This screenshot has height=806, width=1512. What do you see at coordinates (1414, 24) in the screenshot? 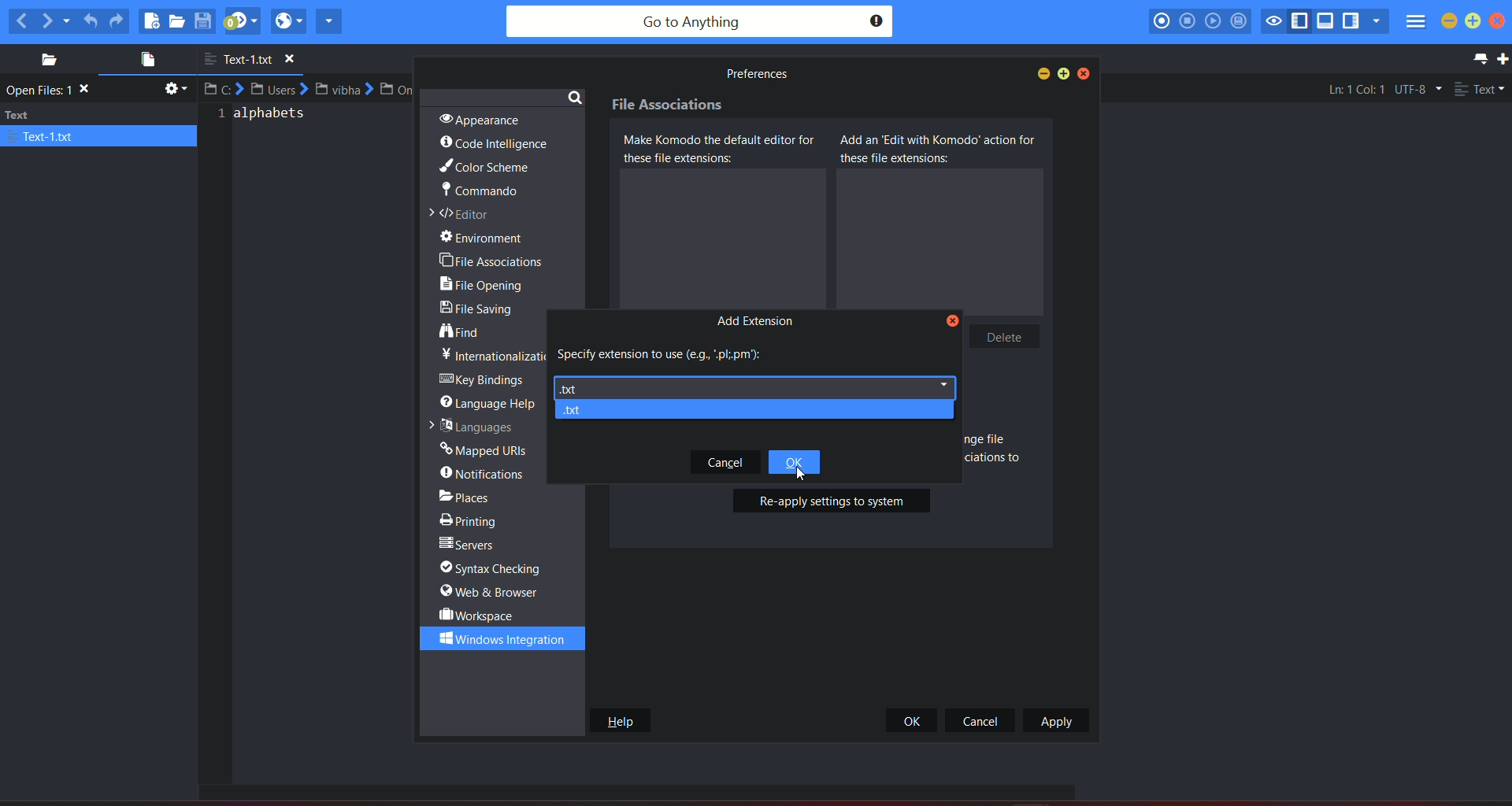
I see `menu` at bounding box center [1414, 24].